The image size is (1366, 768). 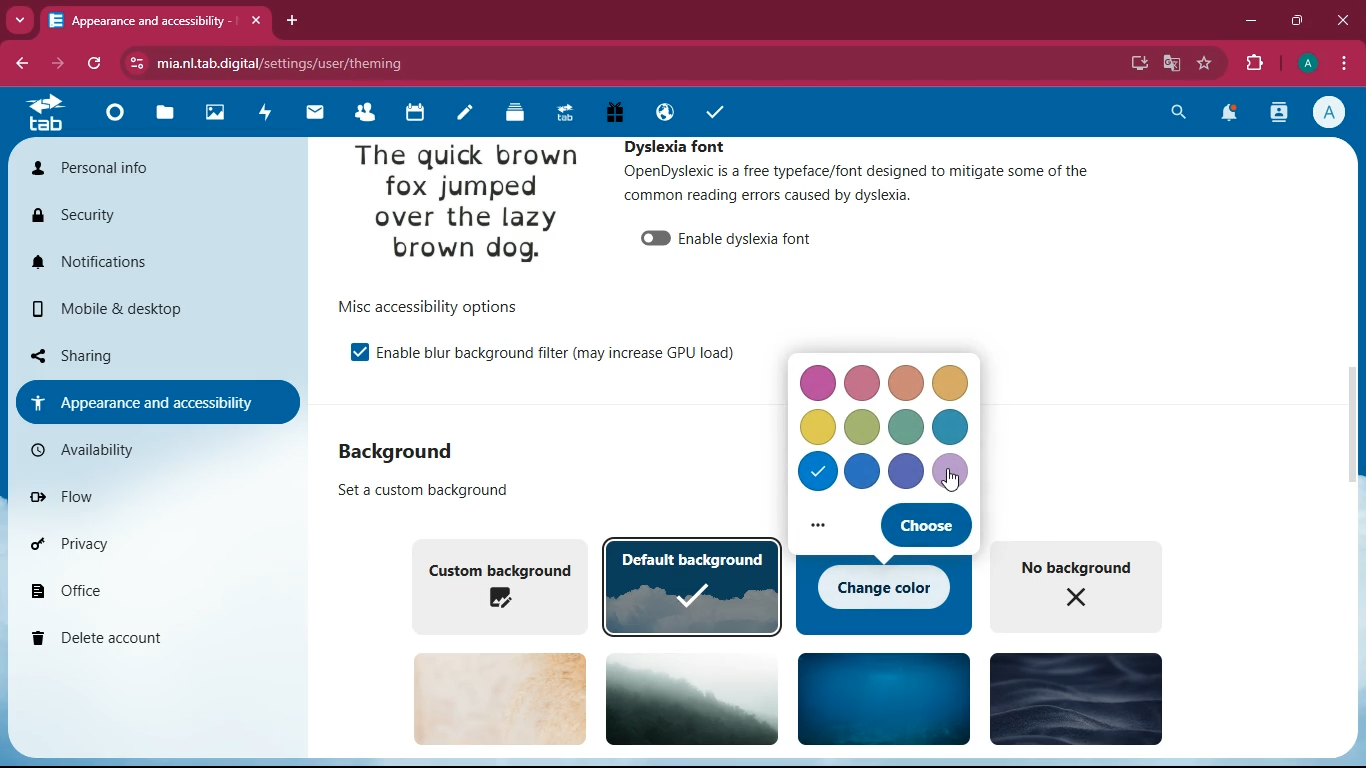 I want to click on color, so click(x=863, y=426).